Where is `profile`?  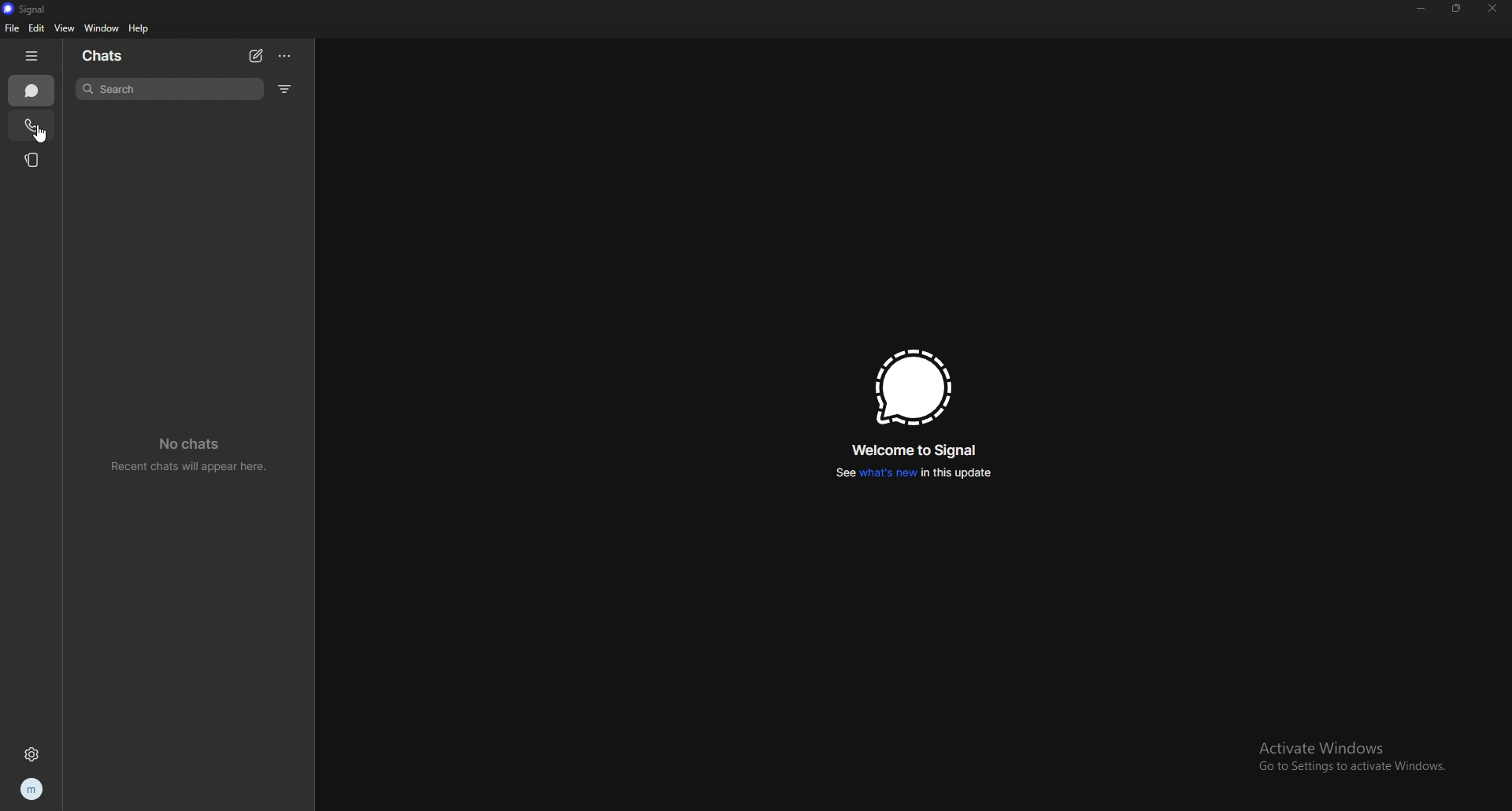
profile is located at coordinates (33, 789).